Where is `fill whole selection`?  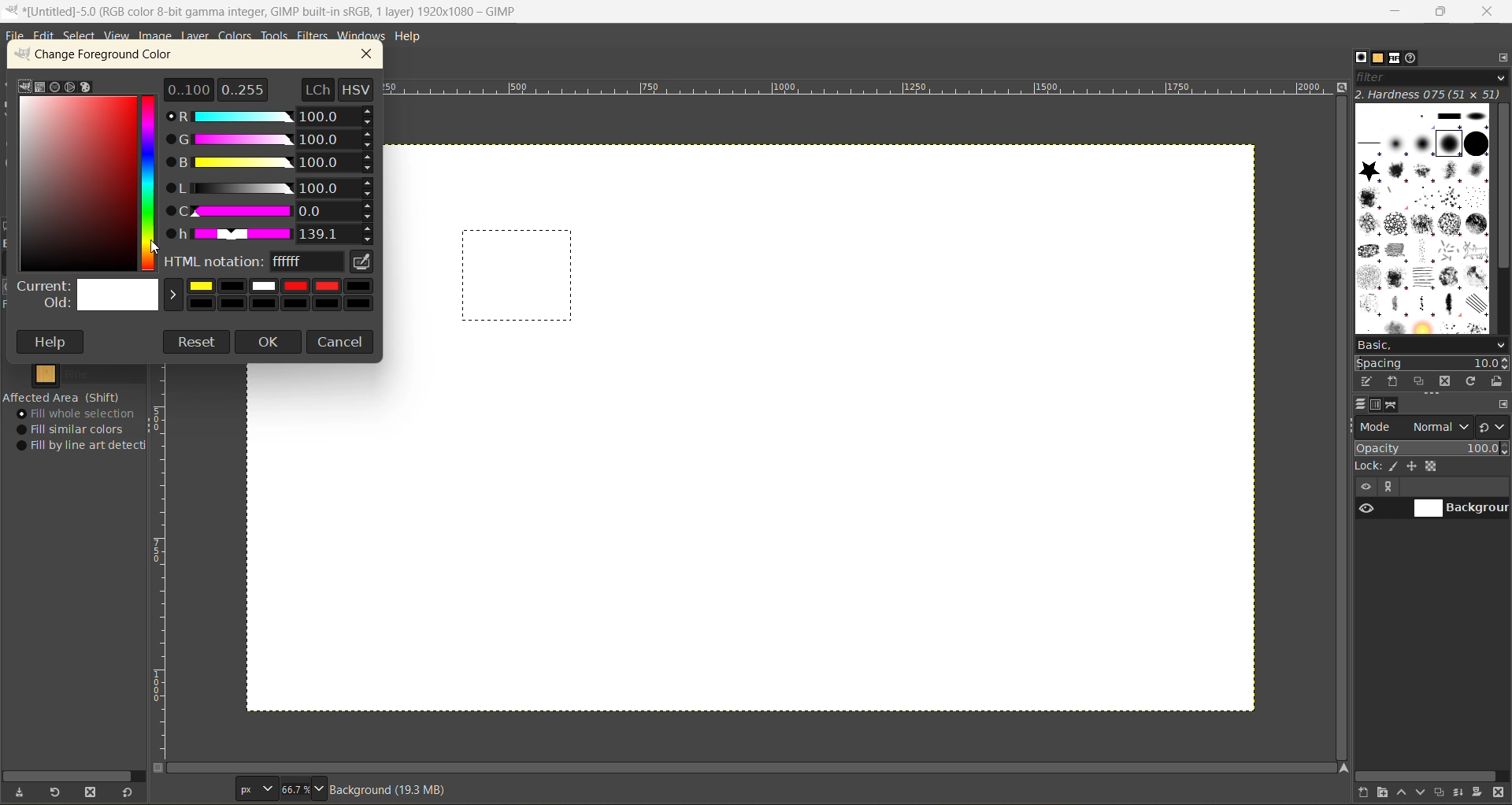 fill whole selection is located at coordinates (81, 414).